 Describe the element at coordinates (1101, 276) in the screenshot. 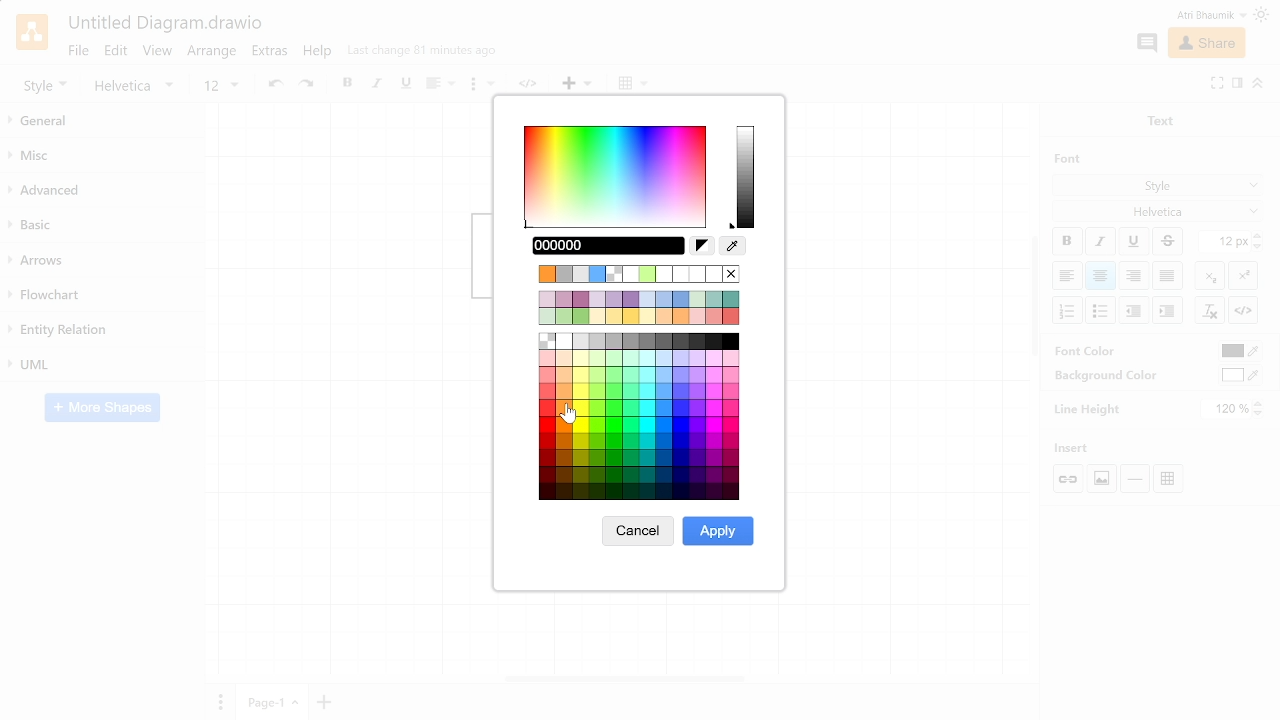

I see `center` at that location.